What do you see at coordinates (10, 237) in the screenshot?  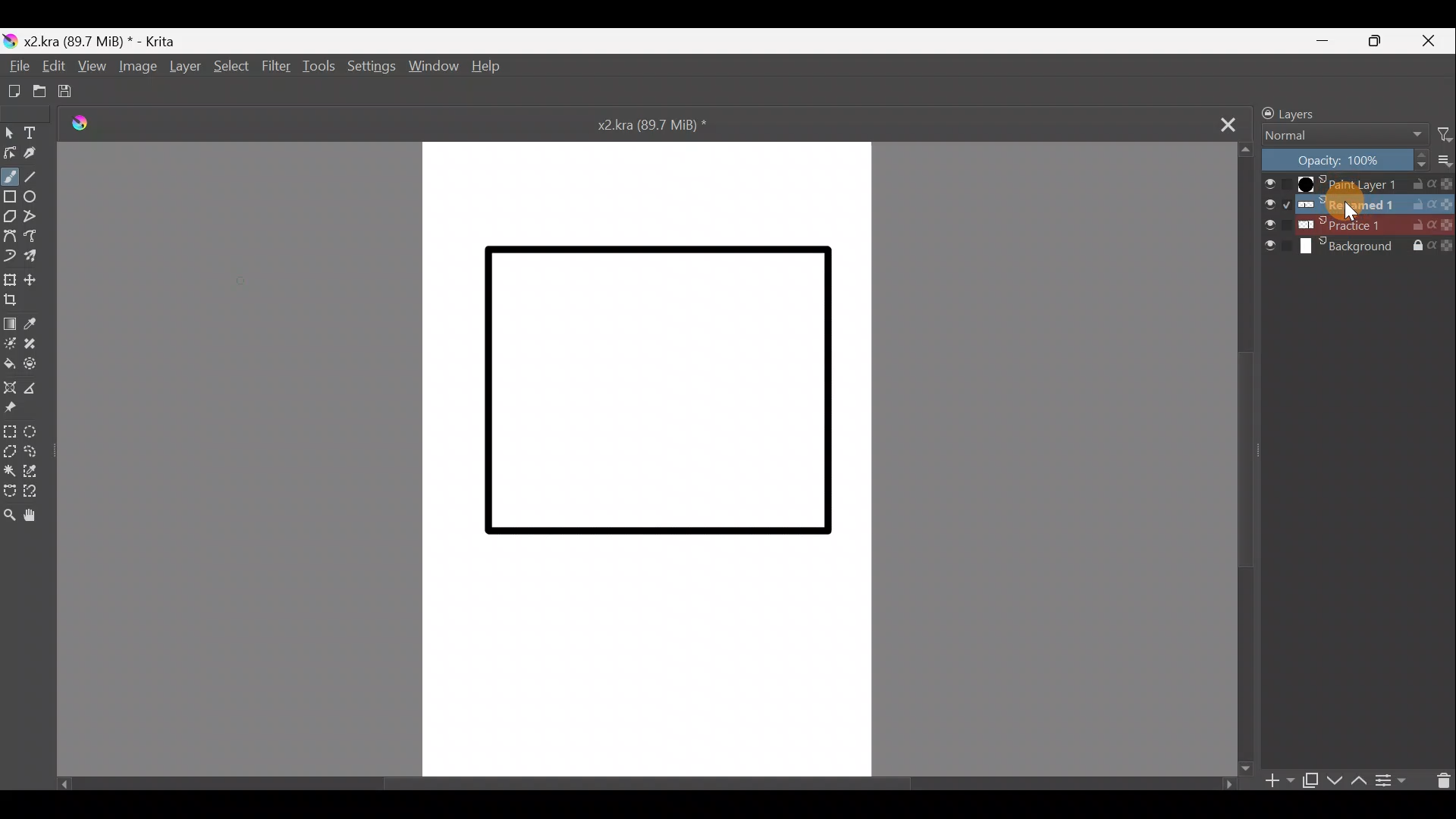 I see `Bezier curve tool` at bounding box center [10, 237].